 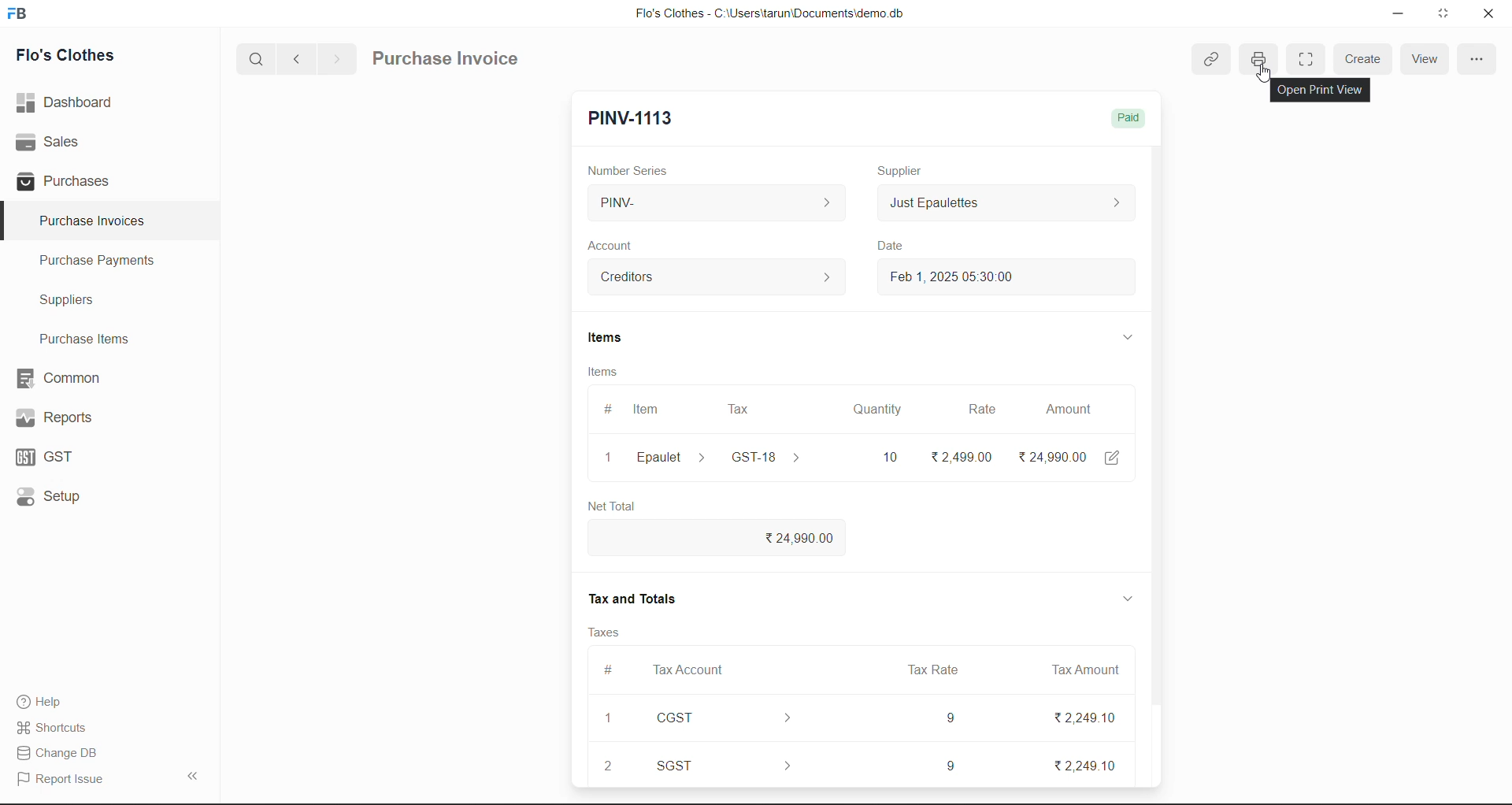 What do you see at coordinates (65, 777) in the screenshot?
I see `Report Issue` at bounding box center [65, 777].